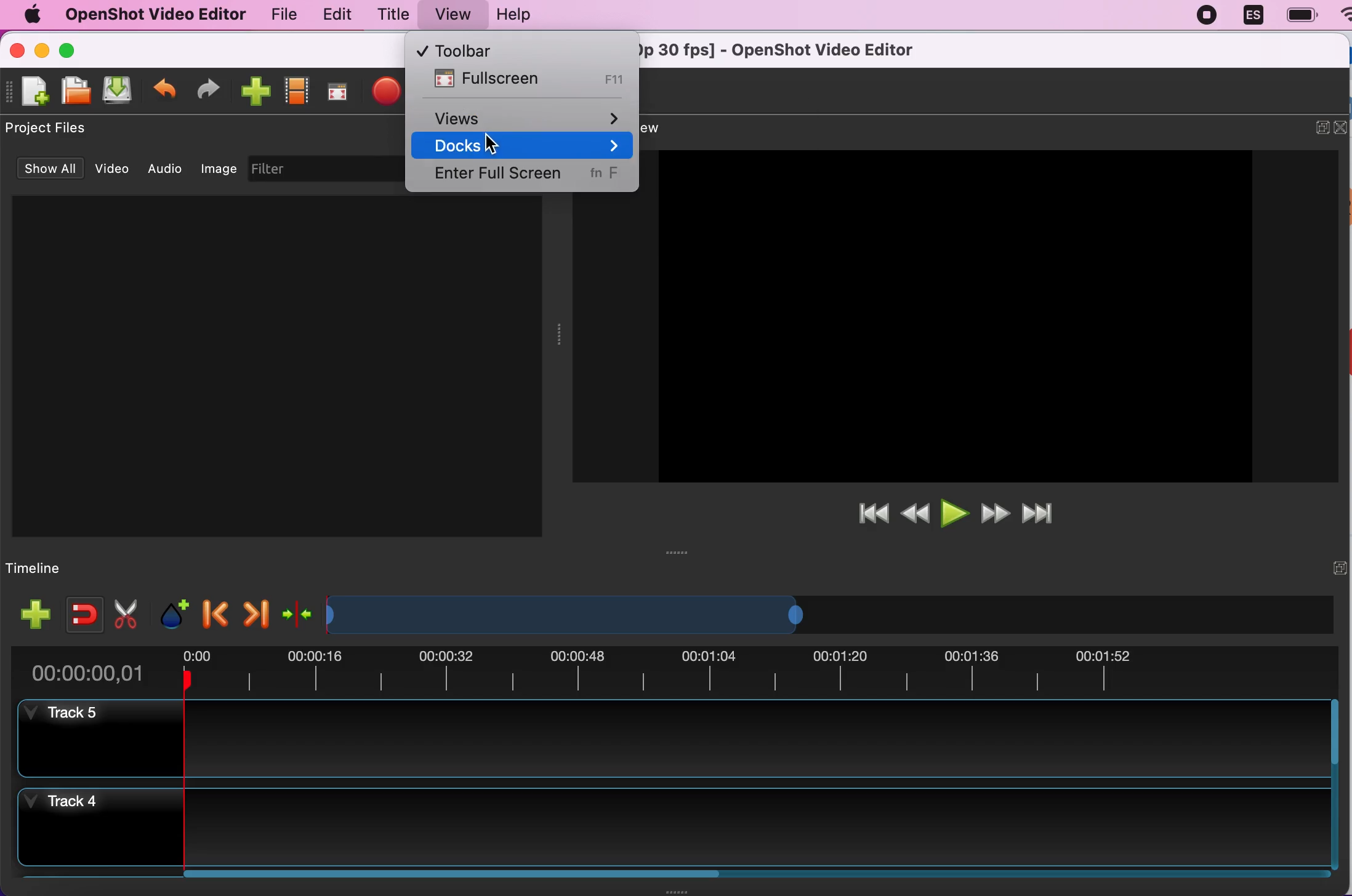 The height and width of the screenshot is (896, 1352). What do you see at coordinates (29, 97) in the screenshot?
I see `new file` at bounding box center [29, 97].